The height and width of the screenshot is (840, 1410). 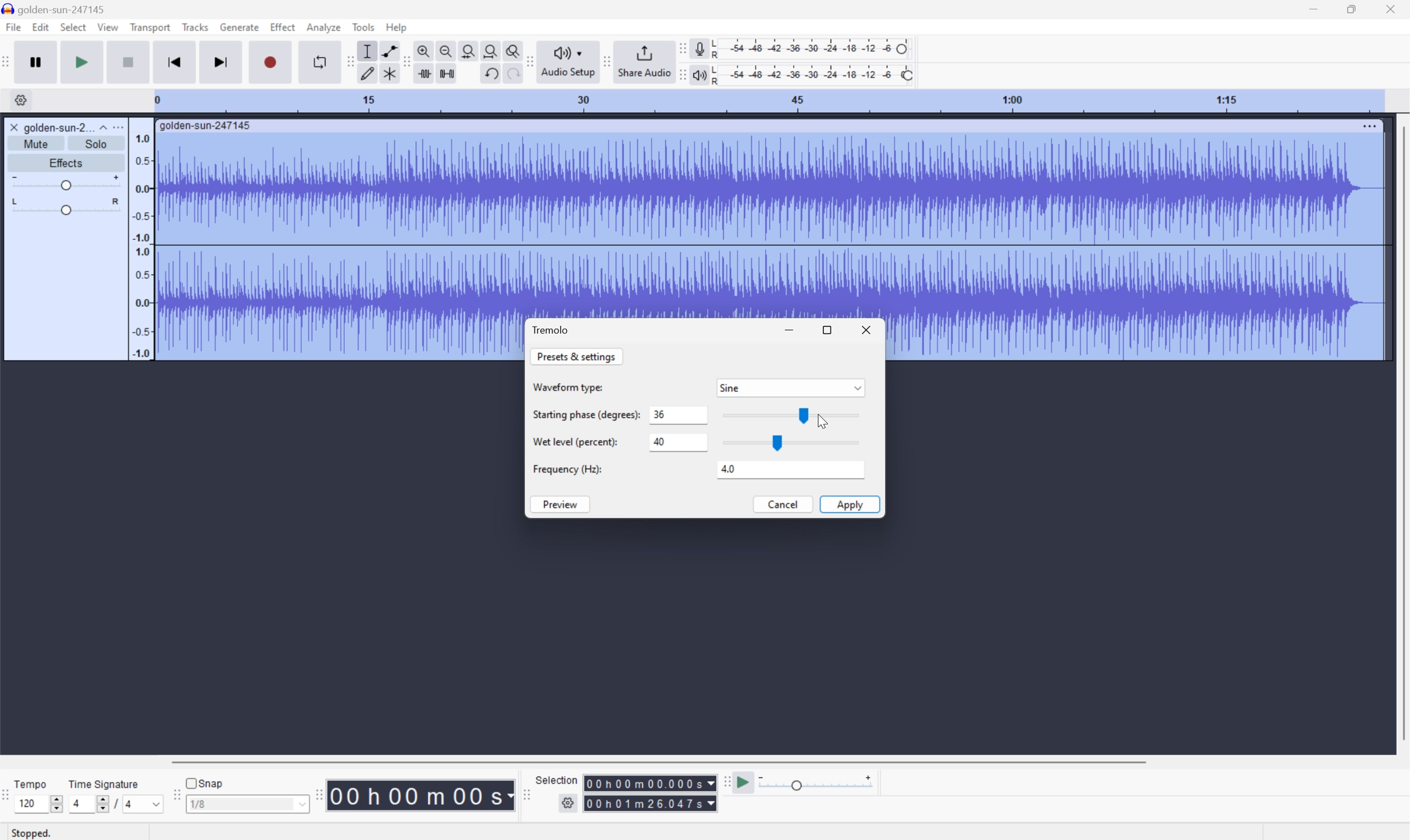 What do you see at coordinates (57, 8) in the screenshot?
I see `golden-sun-247145` at bounding box center [57, 8].